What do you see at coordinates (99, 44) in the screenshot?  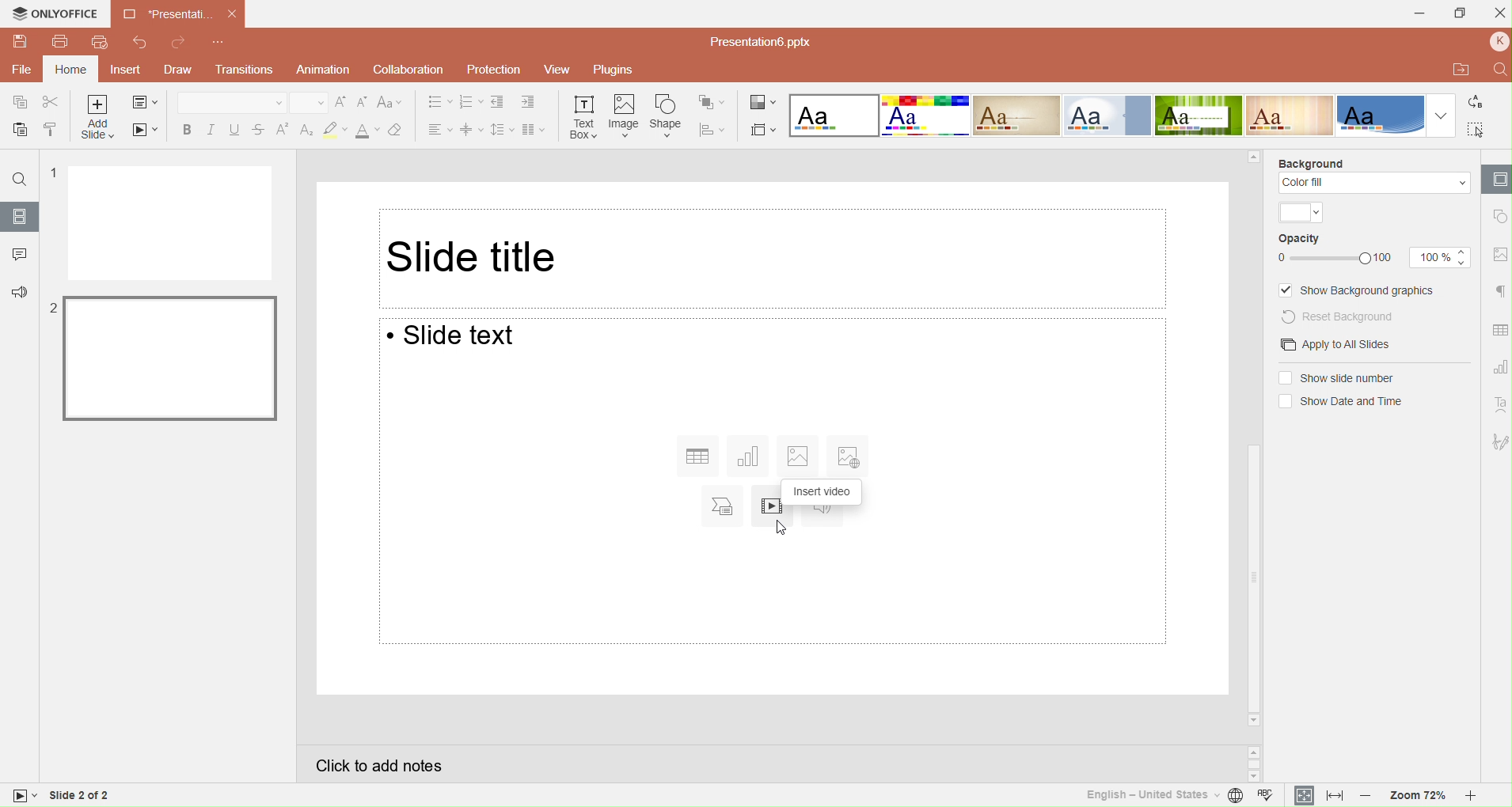 I see `Quick print` at bounding box center [99, 44].